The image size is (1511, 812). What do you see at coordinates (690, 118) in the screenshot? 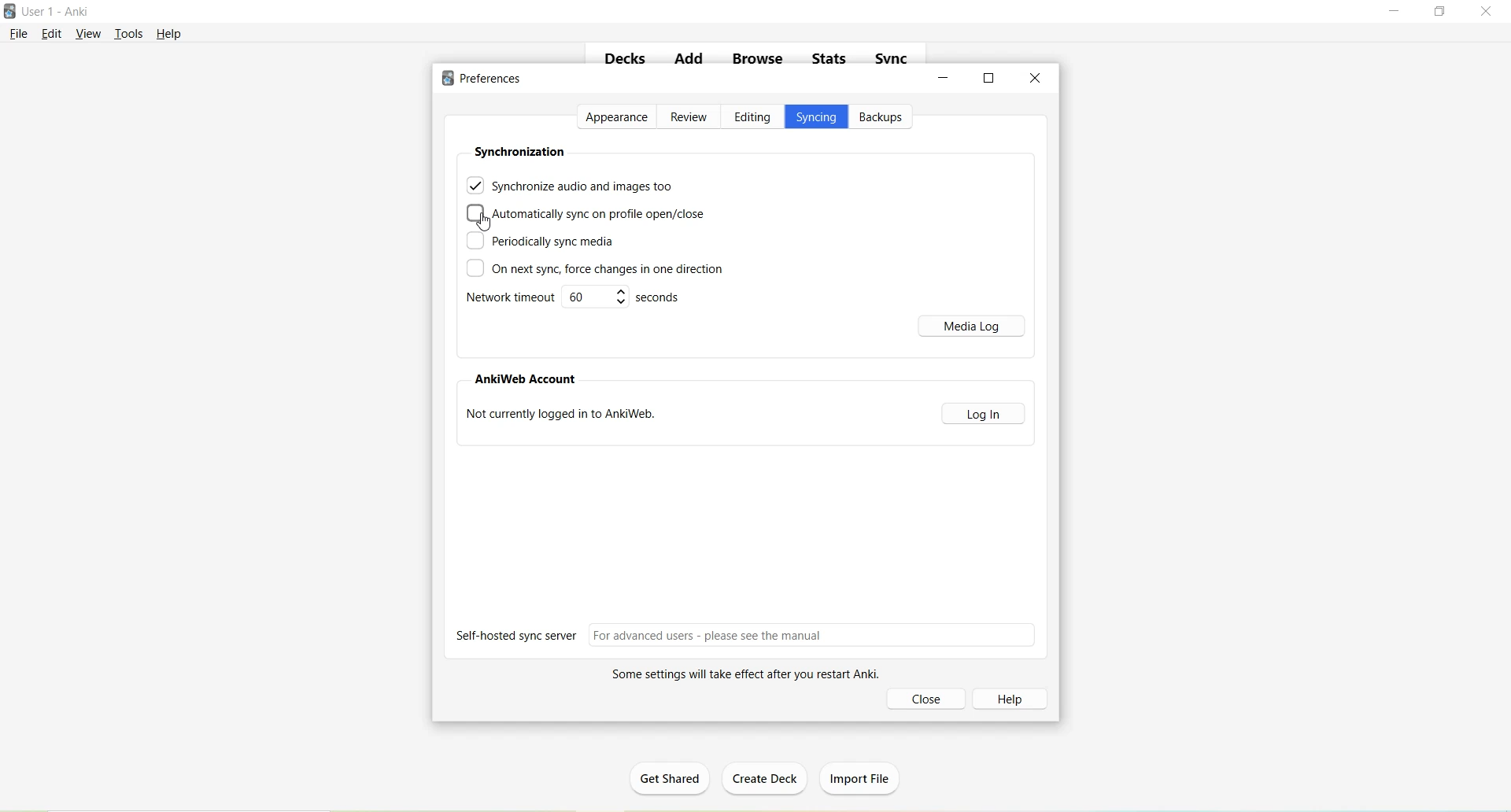
I see `Review` at bounding box center [690, 118].